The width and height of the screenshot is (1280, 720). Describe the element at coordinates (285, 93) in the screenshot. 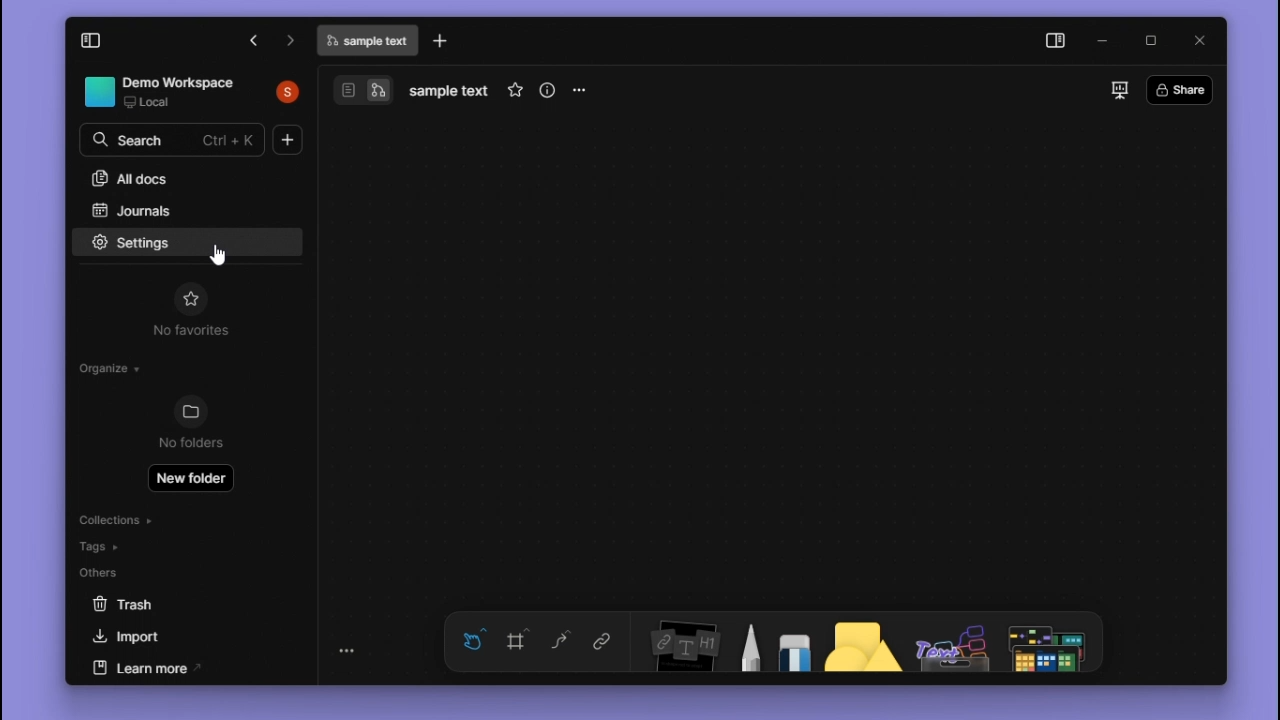

I see `account icon` at that location.